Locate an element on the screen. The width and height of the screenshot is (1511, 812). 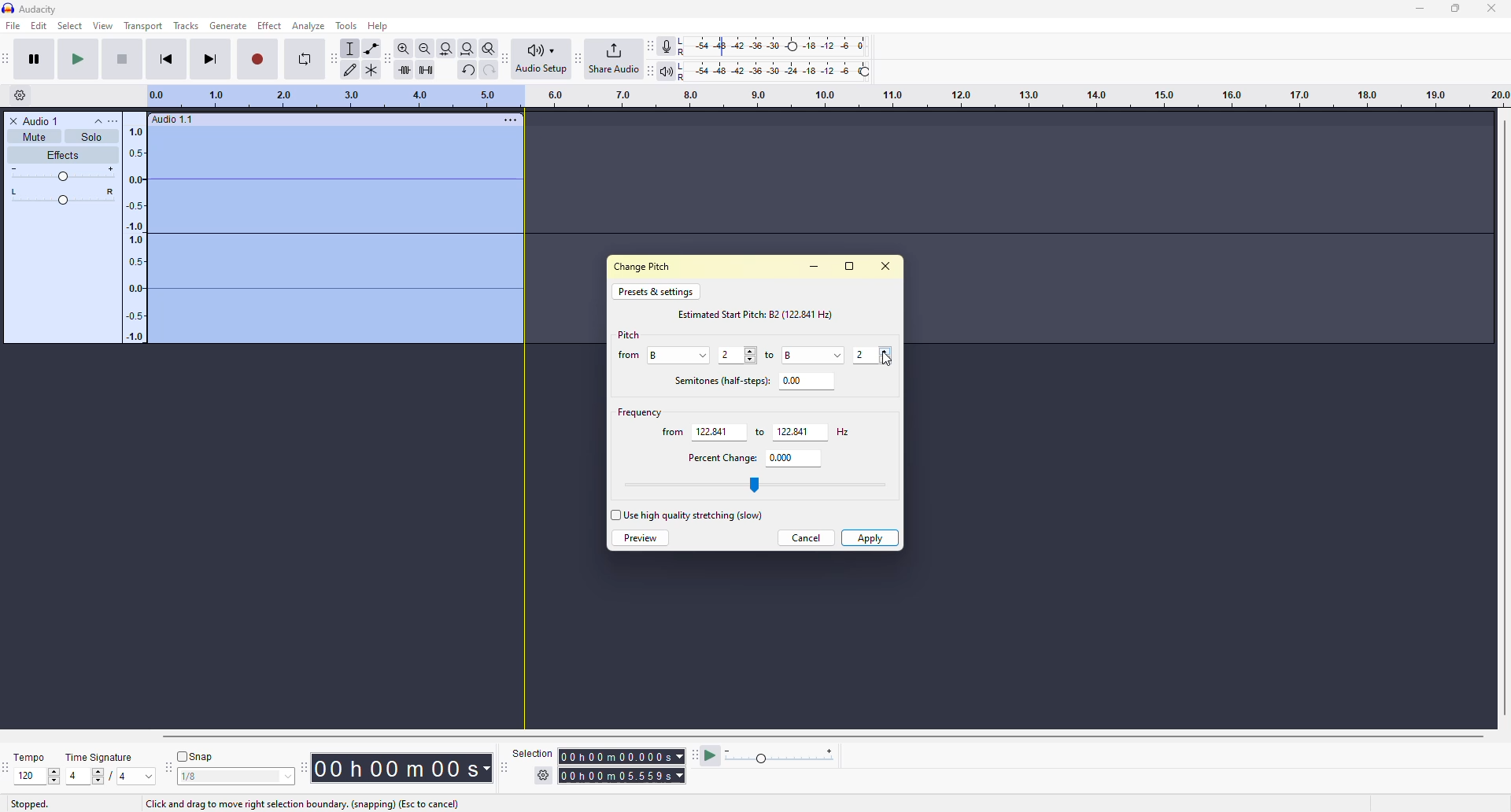
from is located at coordinates (672, 433).